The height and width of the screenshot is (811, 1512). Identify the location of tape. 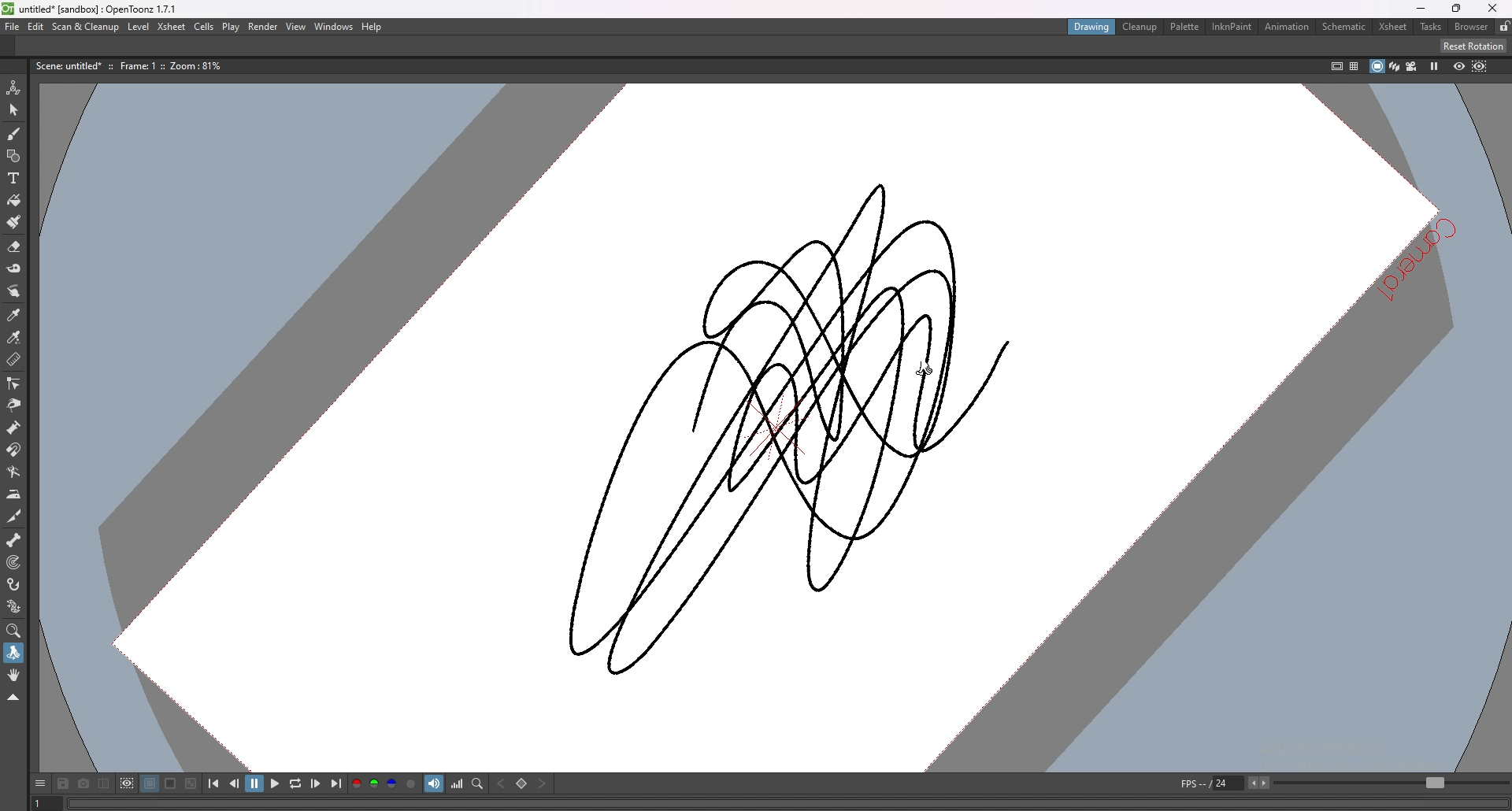
(15, 268).